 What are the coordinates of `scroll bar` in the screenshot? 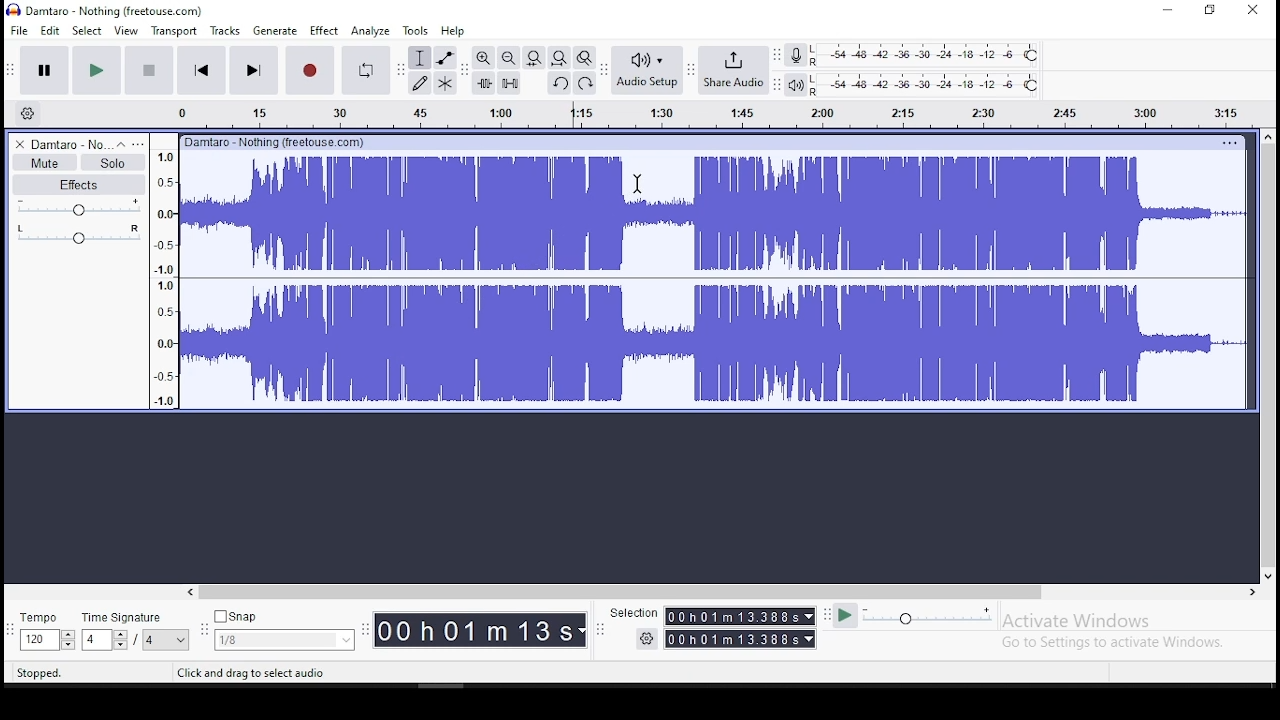 It's located at (1268, 355).